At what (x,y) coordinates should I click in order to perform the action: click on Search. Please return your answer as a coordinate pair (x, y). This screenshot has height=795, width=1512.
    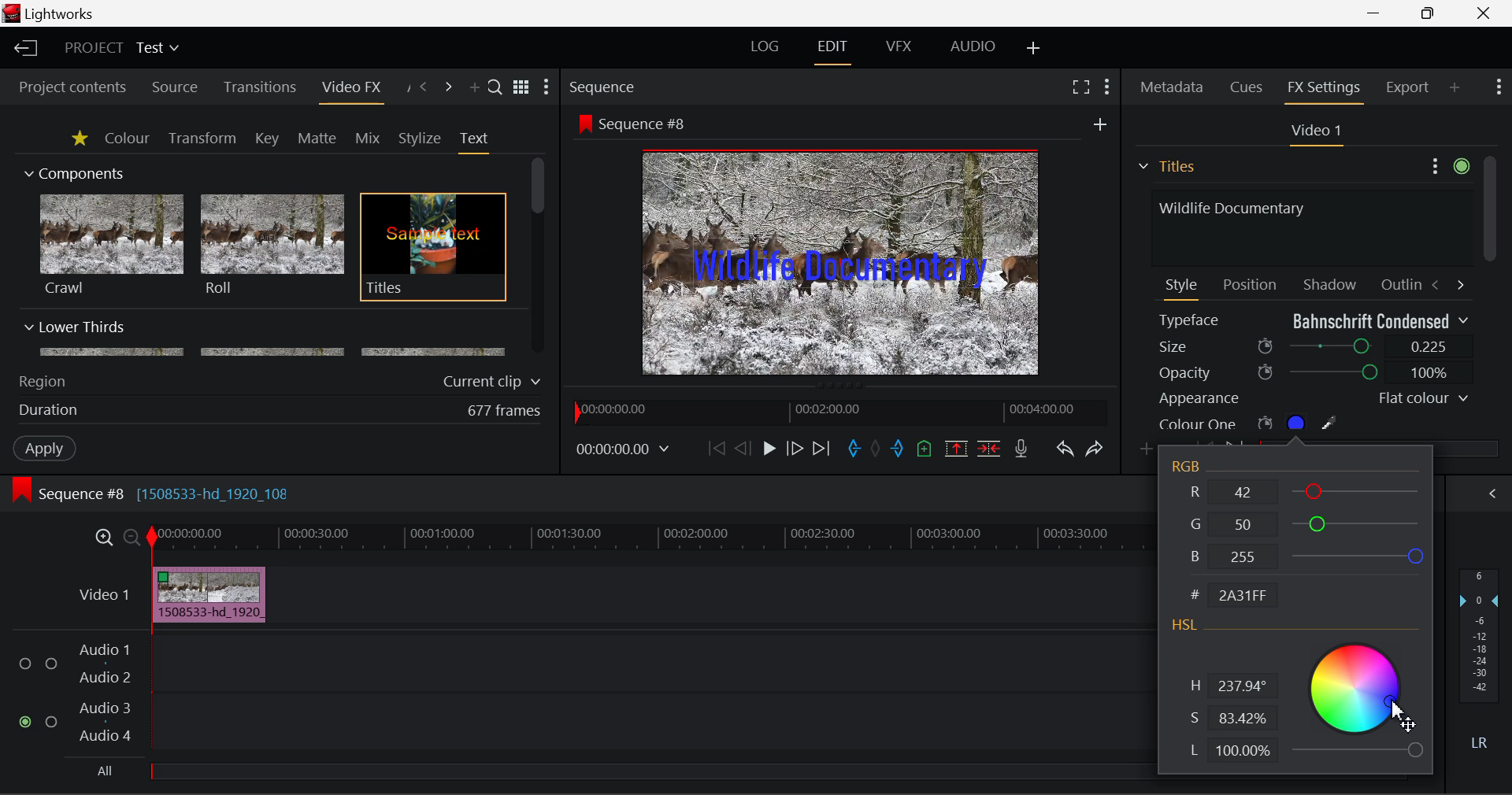
    Looking at the image, I should click on (496, 86).